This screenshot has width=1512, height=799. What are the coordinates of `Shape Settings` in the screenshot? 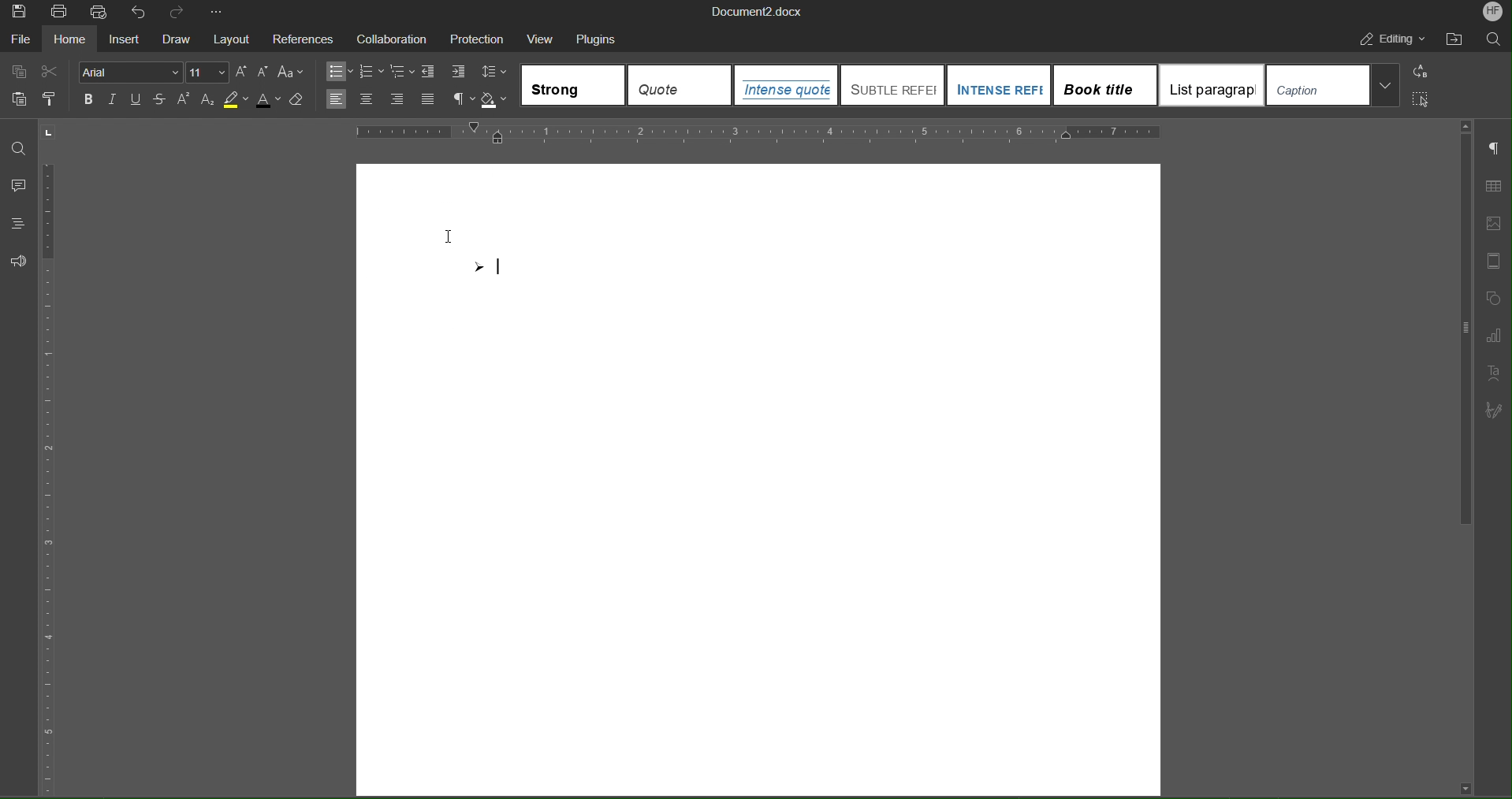 It's located at (1489, 297).